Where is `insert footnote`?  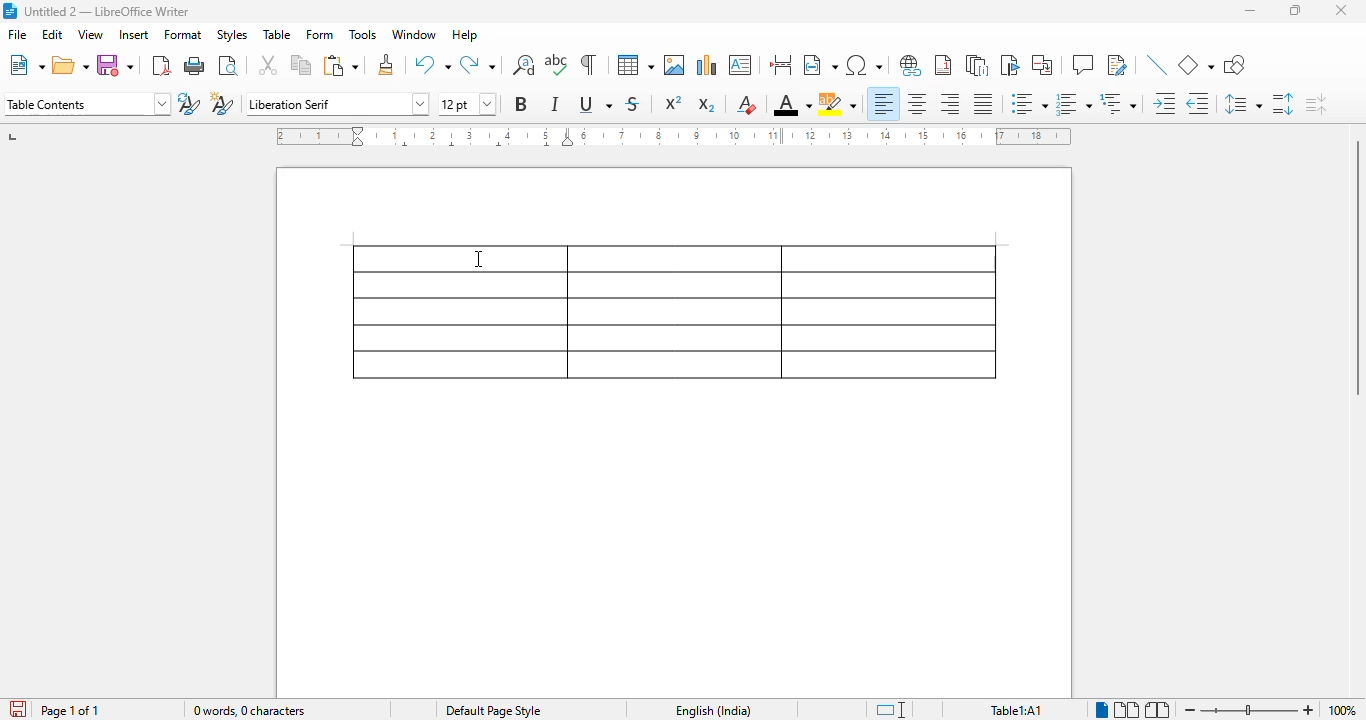 insert footnote is located at coordinates (943, 65).